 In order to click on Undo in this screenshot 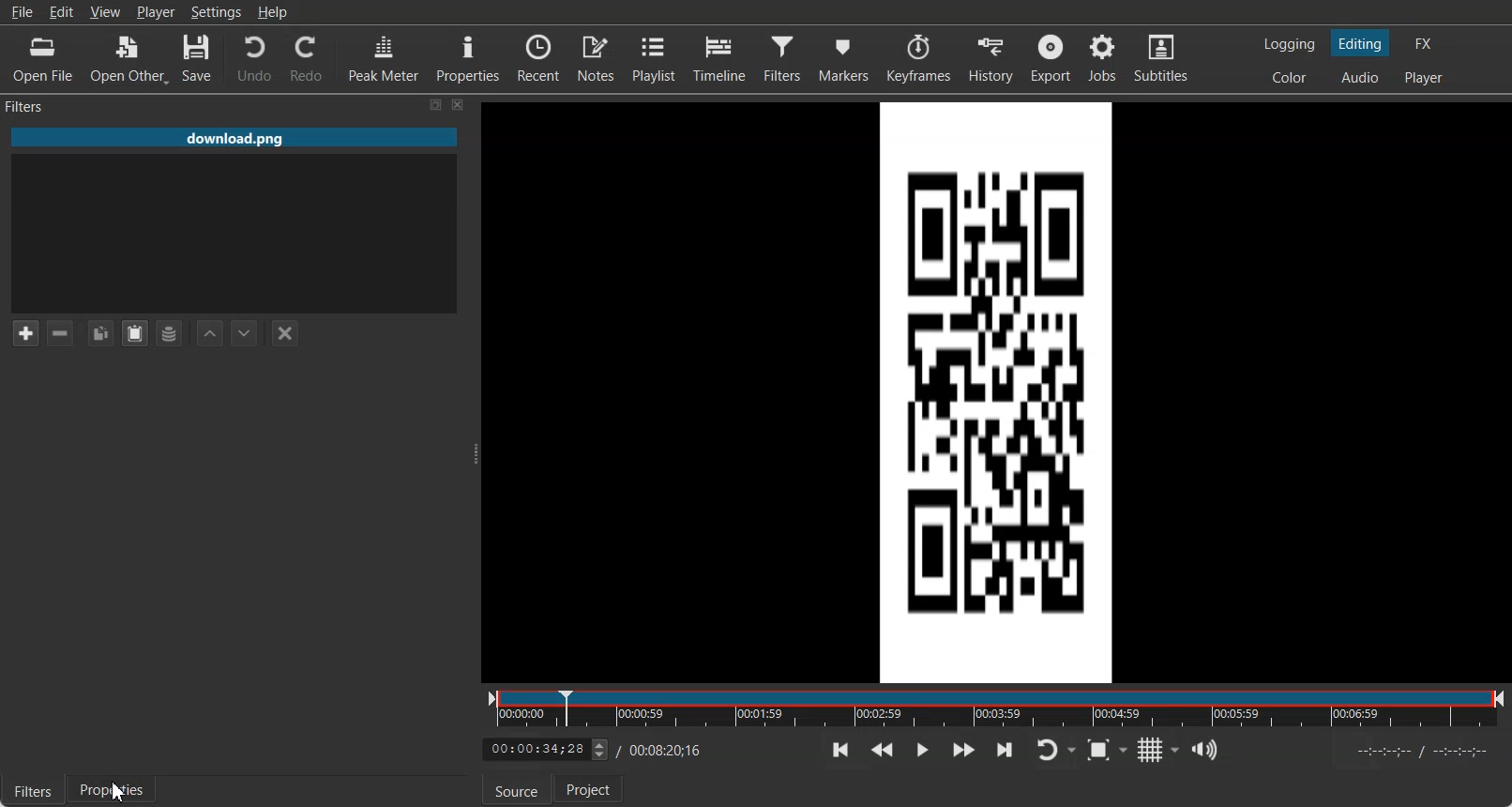, I will do `click(252, 58)`.